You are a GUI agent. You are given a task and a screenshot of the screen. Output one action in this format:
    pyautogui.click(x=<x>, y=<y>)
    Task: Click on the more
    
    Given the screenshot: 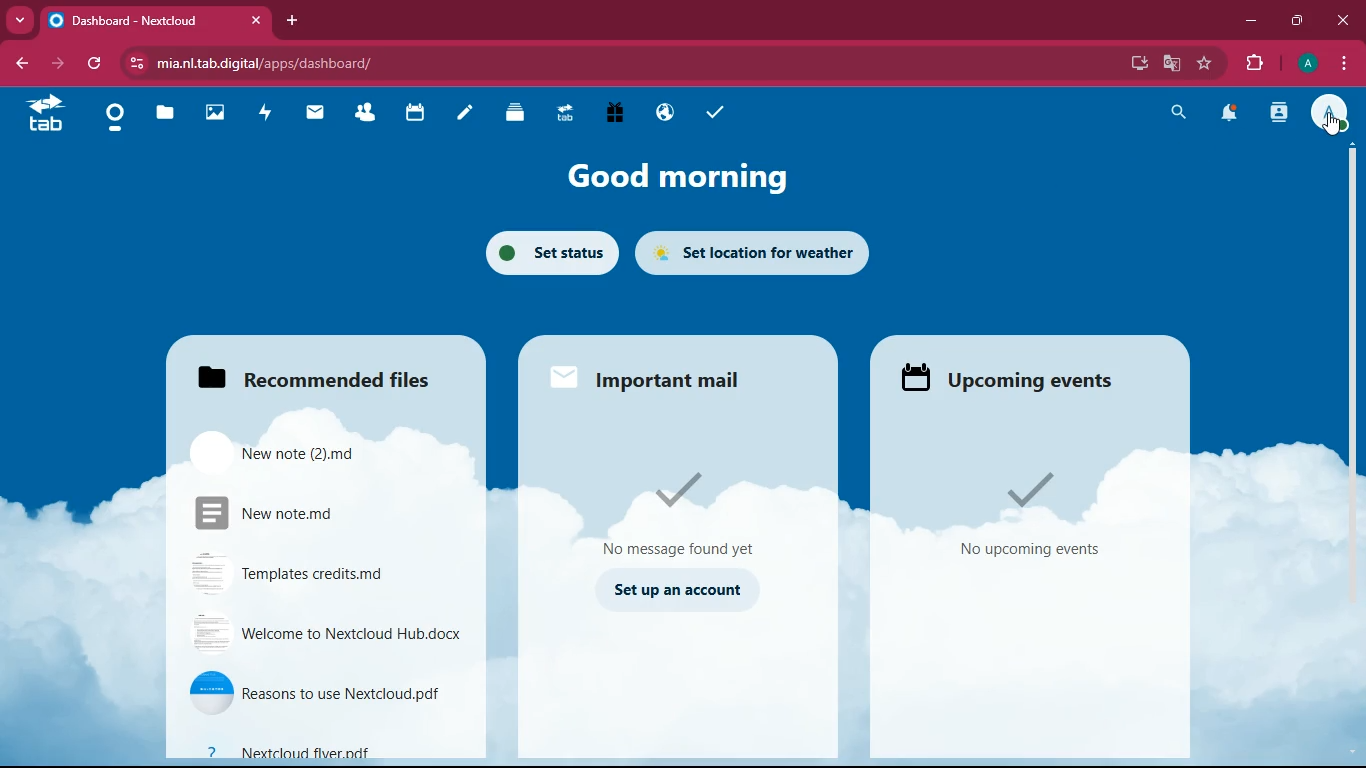 What is the action you would take?
    pyautogui.click(x=21, y=20)
    